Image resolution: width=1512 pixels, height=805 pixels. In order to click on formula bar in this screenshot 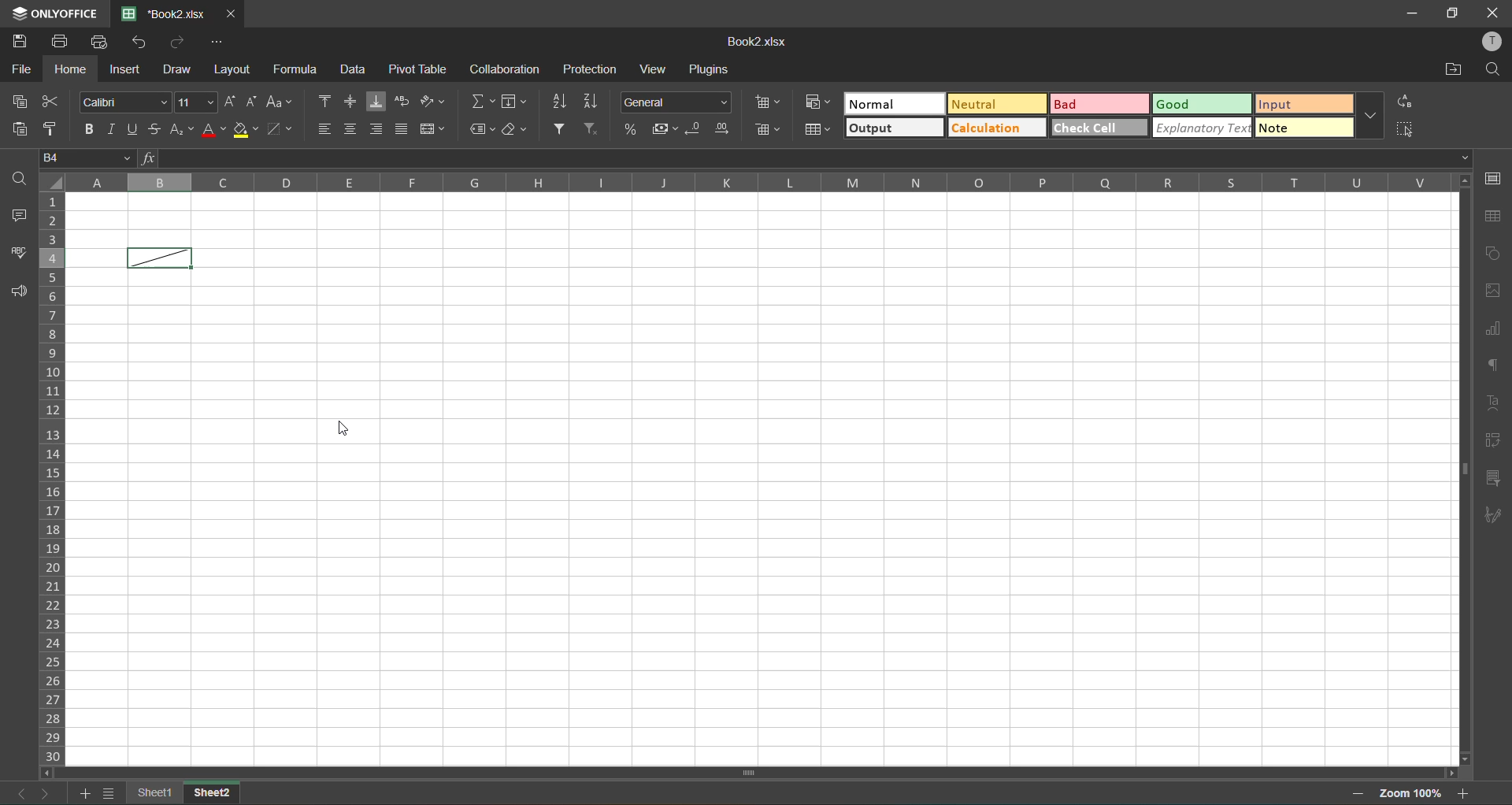, I will do `click(794, 158)`.